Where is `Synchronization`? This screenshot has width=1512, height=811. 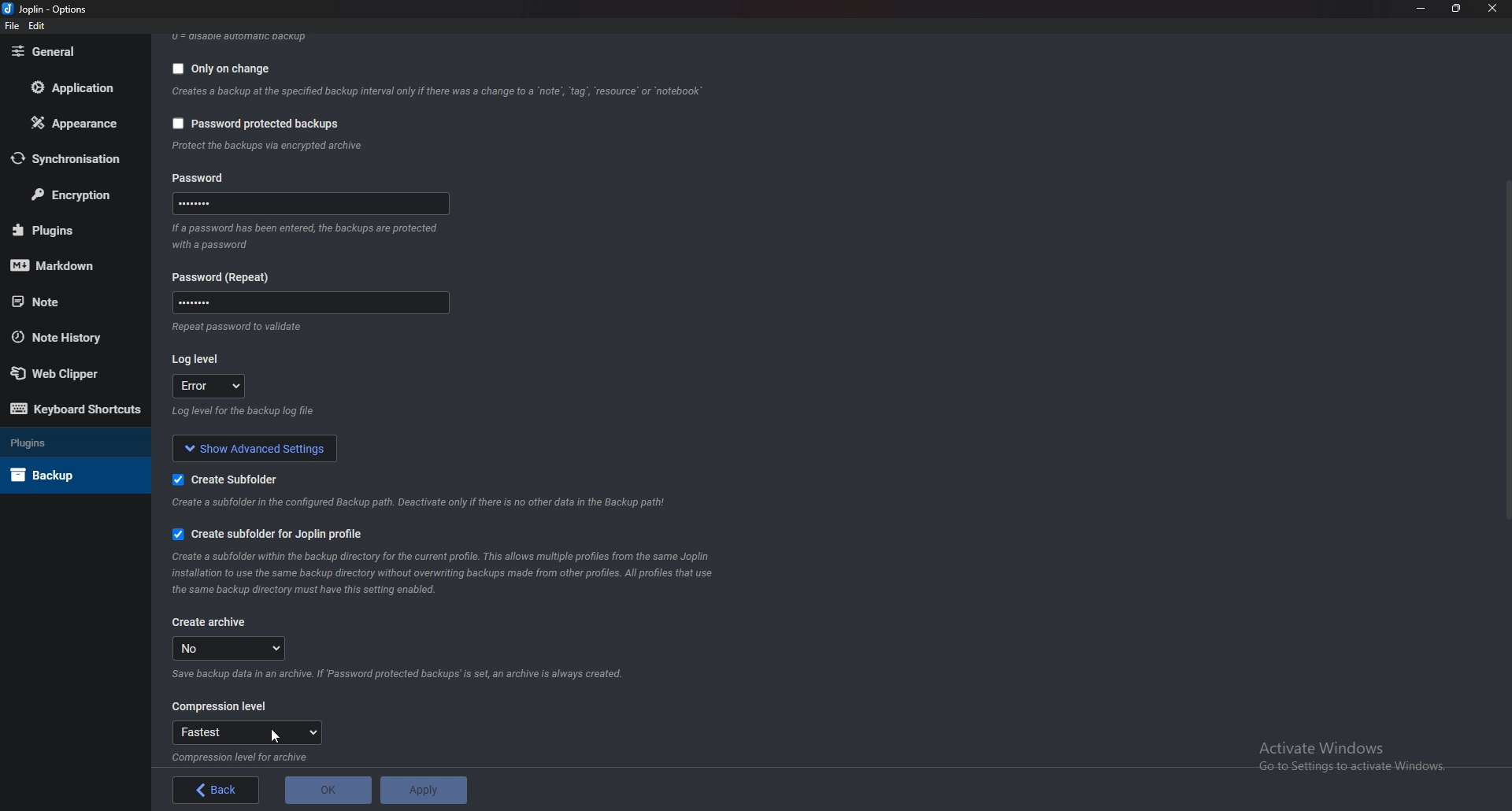 Synchronization is located at coordinates (76, 161).